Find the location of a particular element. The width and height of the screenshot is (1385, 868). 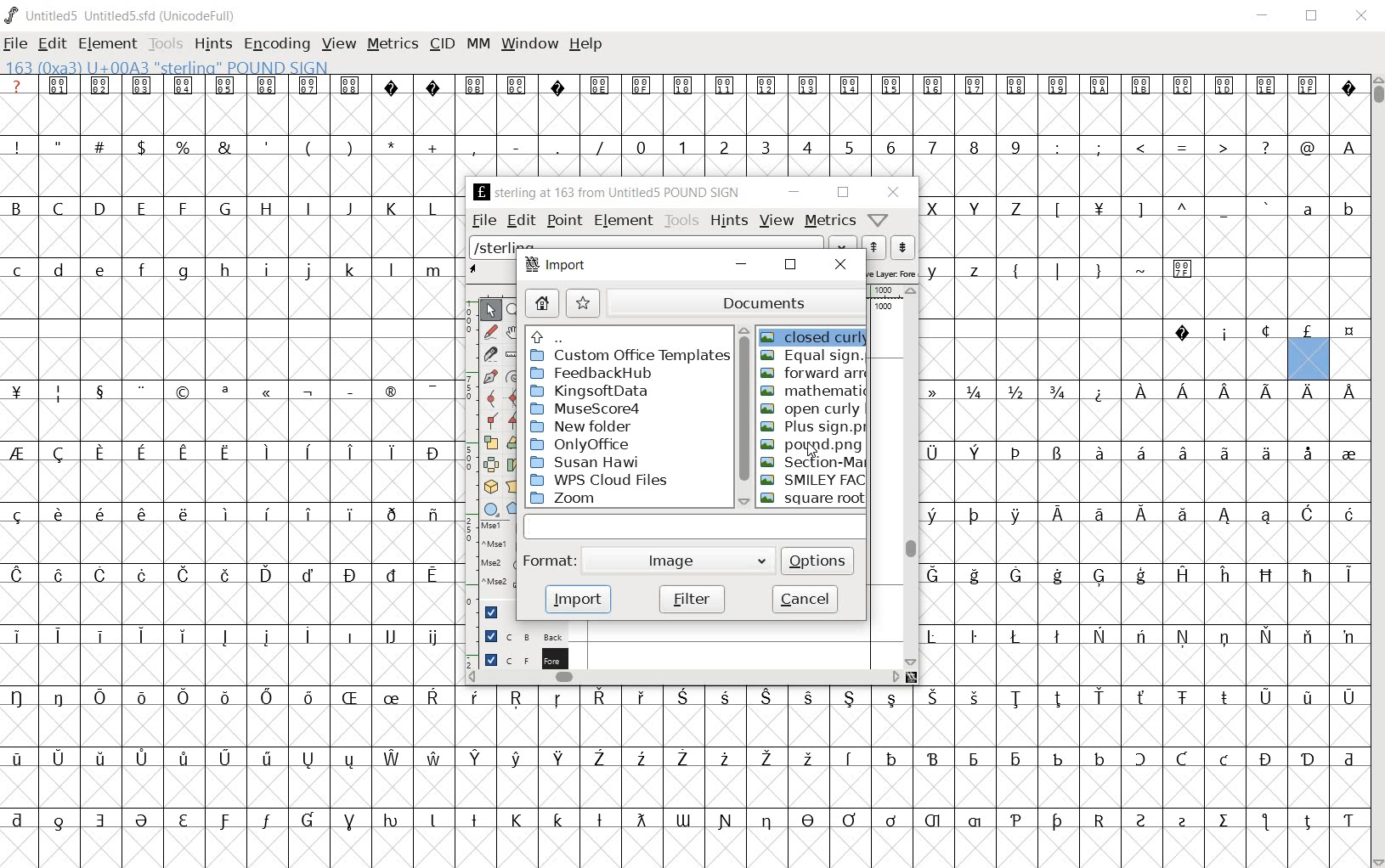

mathematic is located at coordinates (810, 389).